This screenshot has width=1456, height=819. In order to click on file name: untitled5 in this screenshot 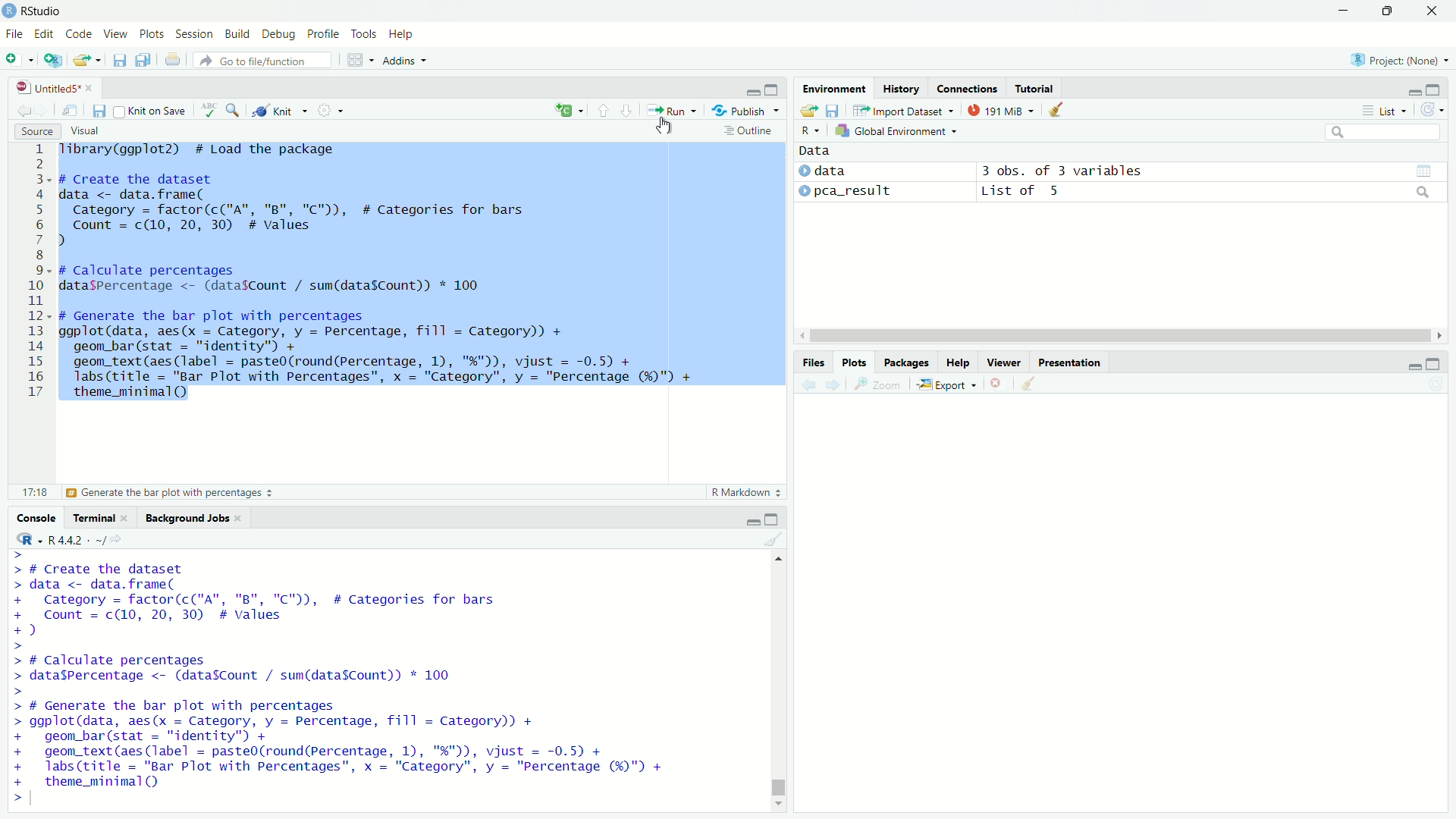, I will do `click(55, 88)`.